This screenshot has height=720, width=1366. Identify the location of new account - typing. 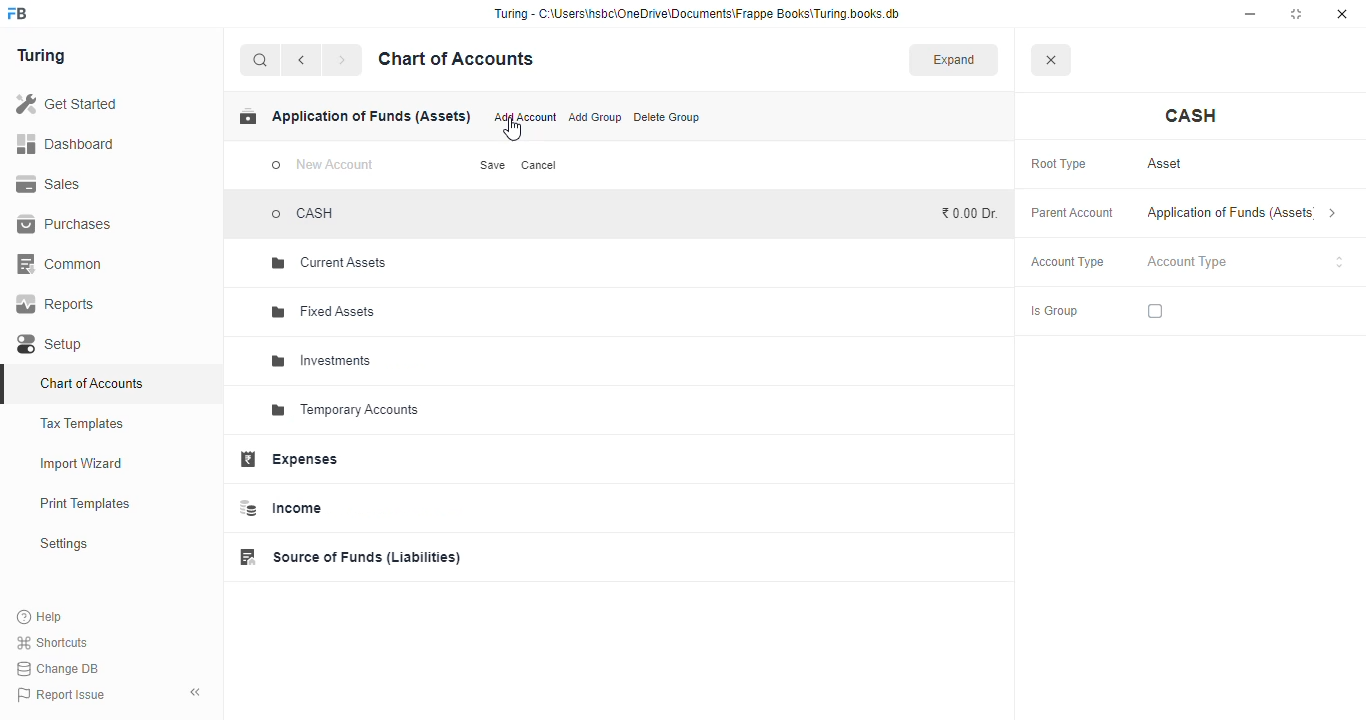
(322, 165).